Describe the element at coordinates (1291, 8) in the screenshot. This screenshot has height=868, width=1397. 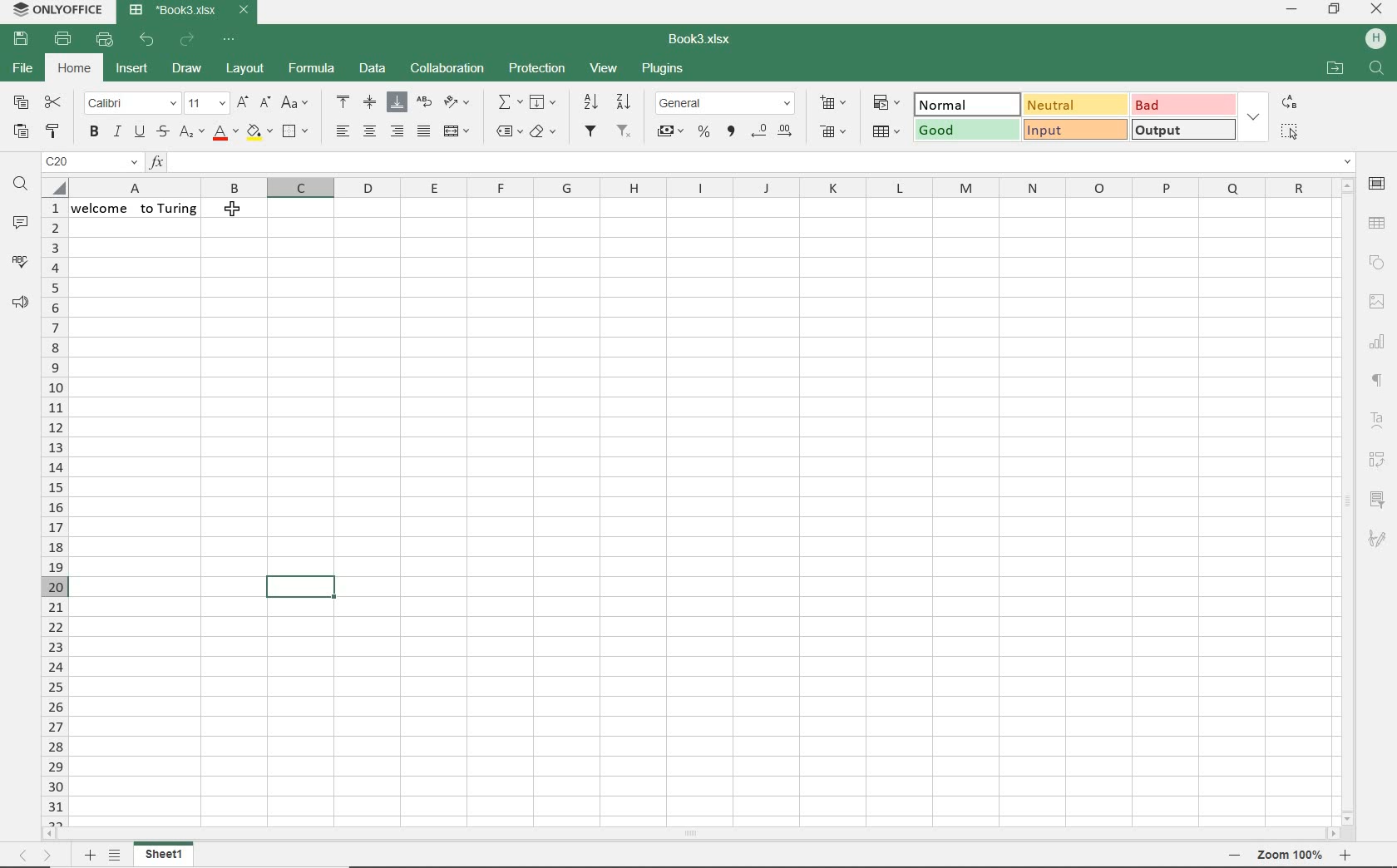
I see `minimize` at that location.